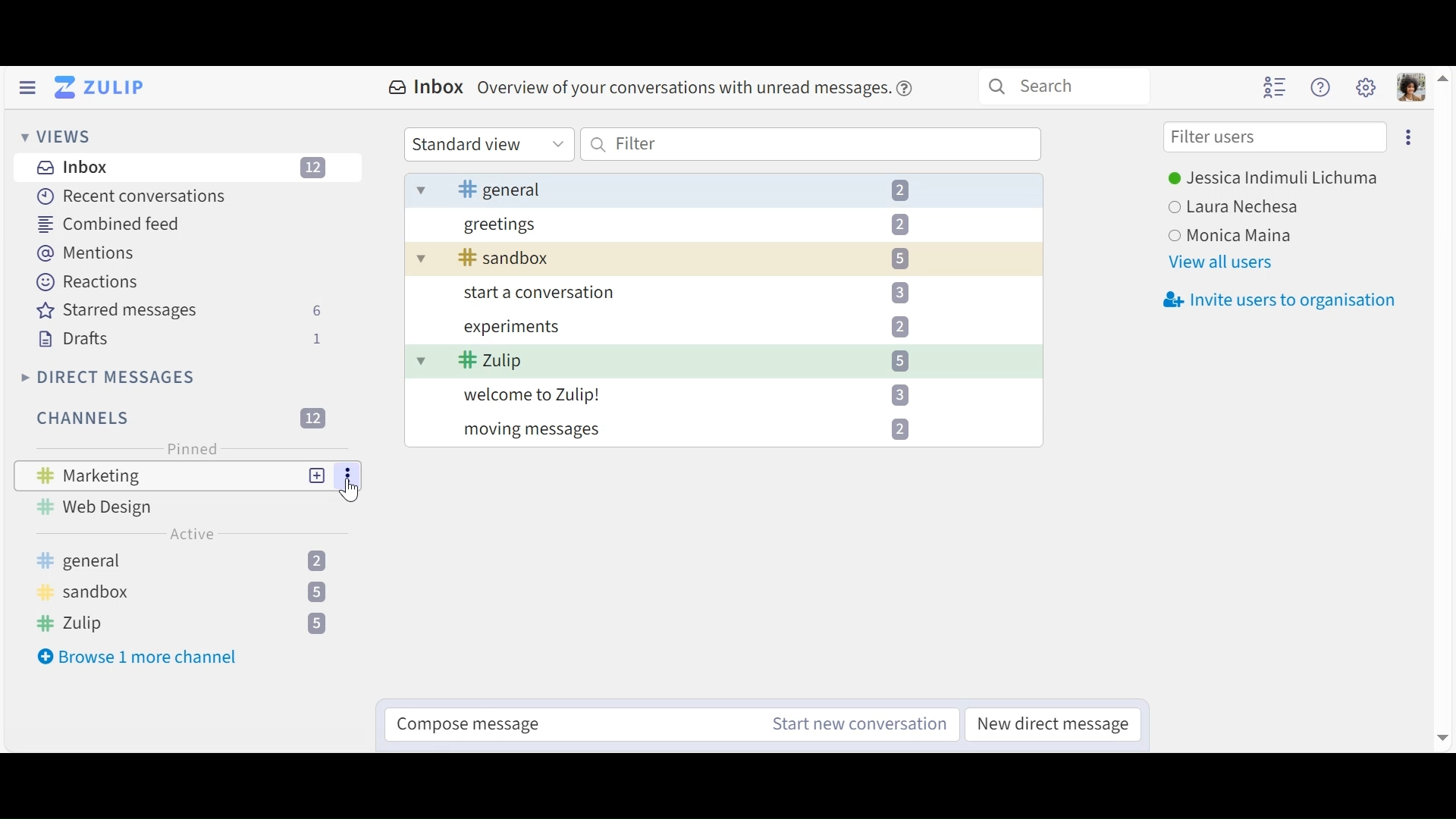 The width and height of the screenshot is (1456, 819). What do you see at coordinates (1238, 235) in the screenshot?
I see `user3` at bounding box center [1238, 235].